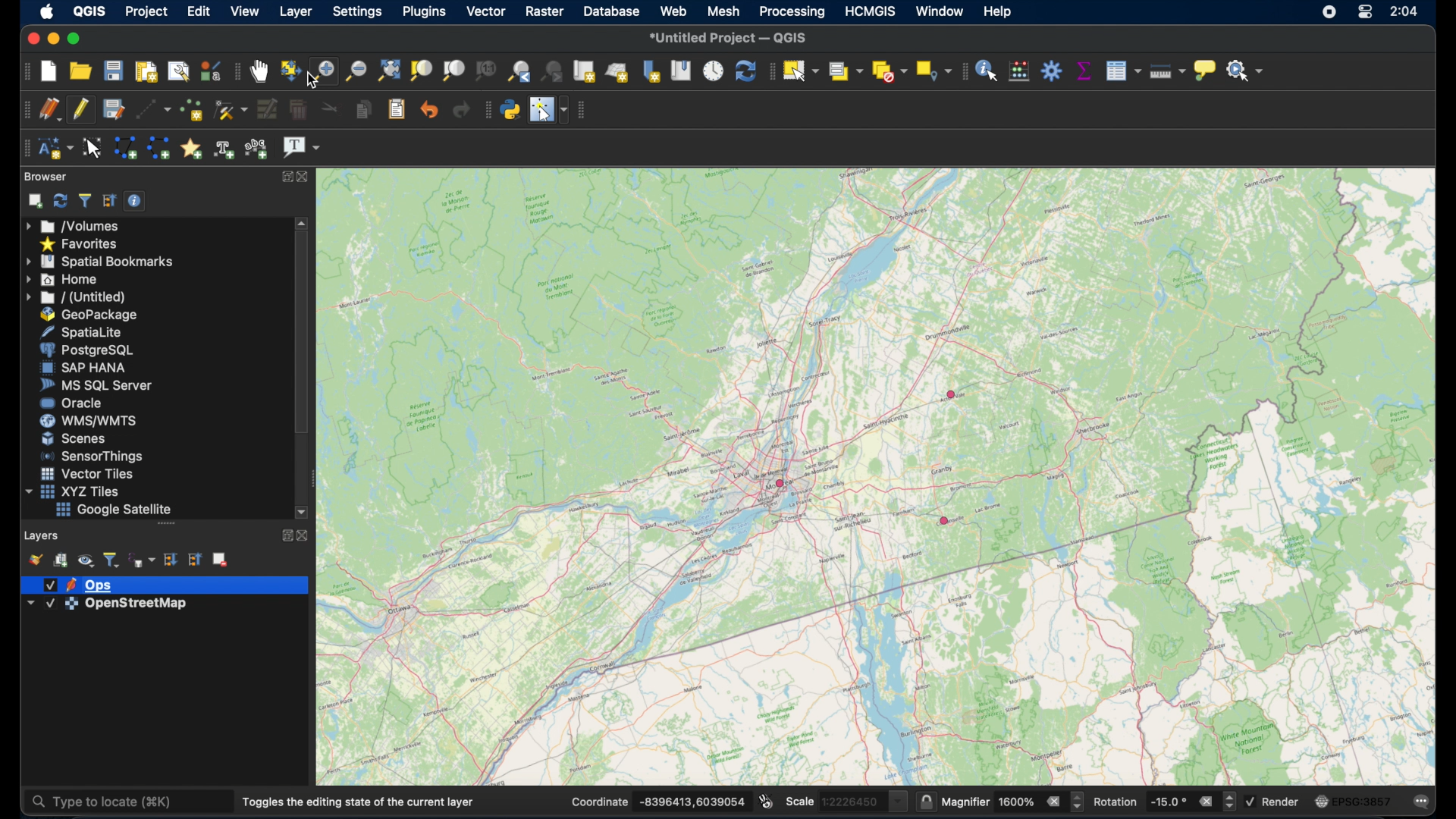 The image size is (1456, 819). What do you see at coordinates (142, 560) in the screenshot?
I see `filter legend by expression` at bounding box center [142, 560].